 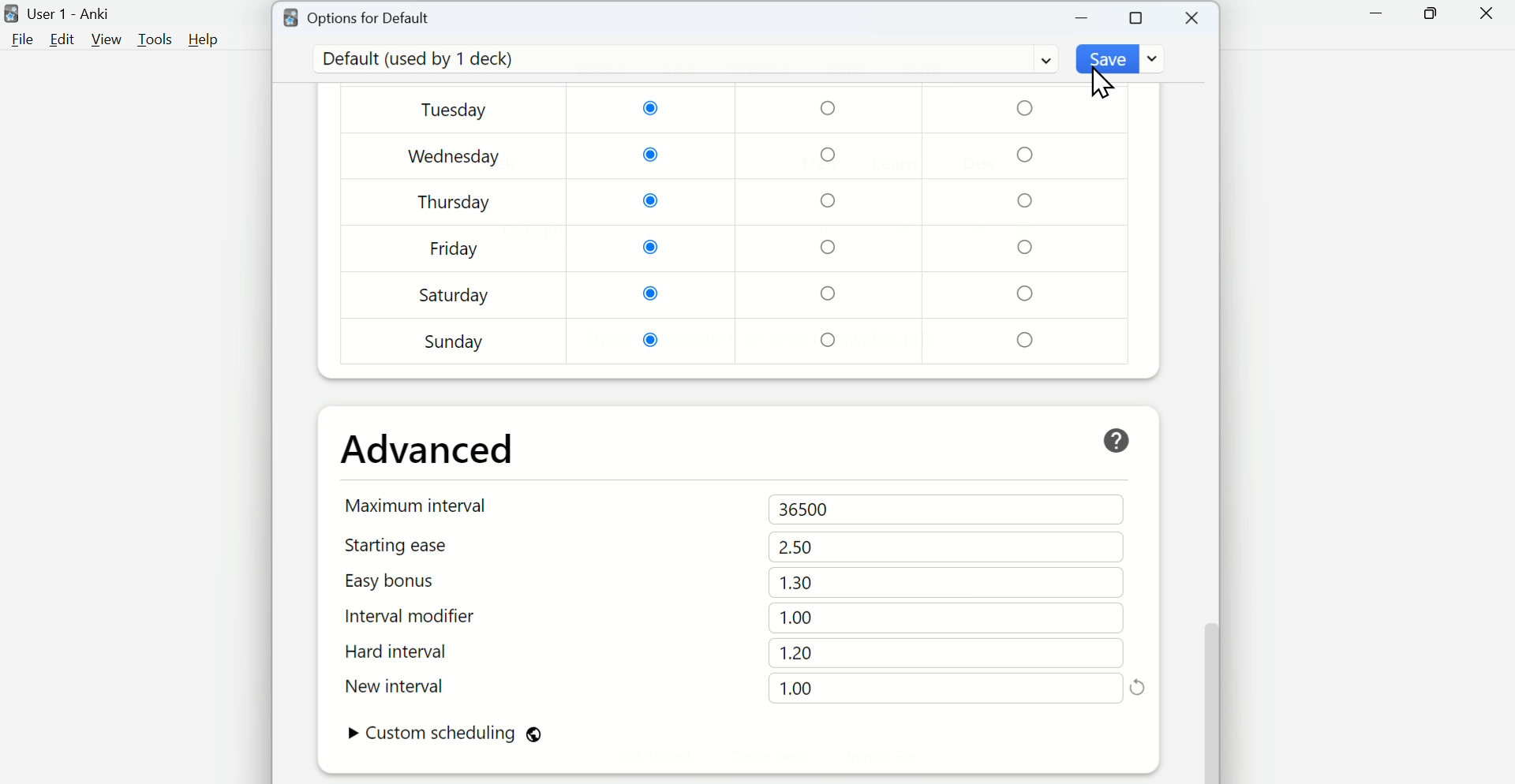 I want to click on Hard interval, so click(x=416, y=654).